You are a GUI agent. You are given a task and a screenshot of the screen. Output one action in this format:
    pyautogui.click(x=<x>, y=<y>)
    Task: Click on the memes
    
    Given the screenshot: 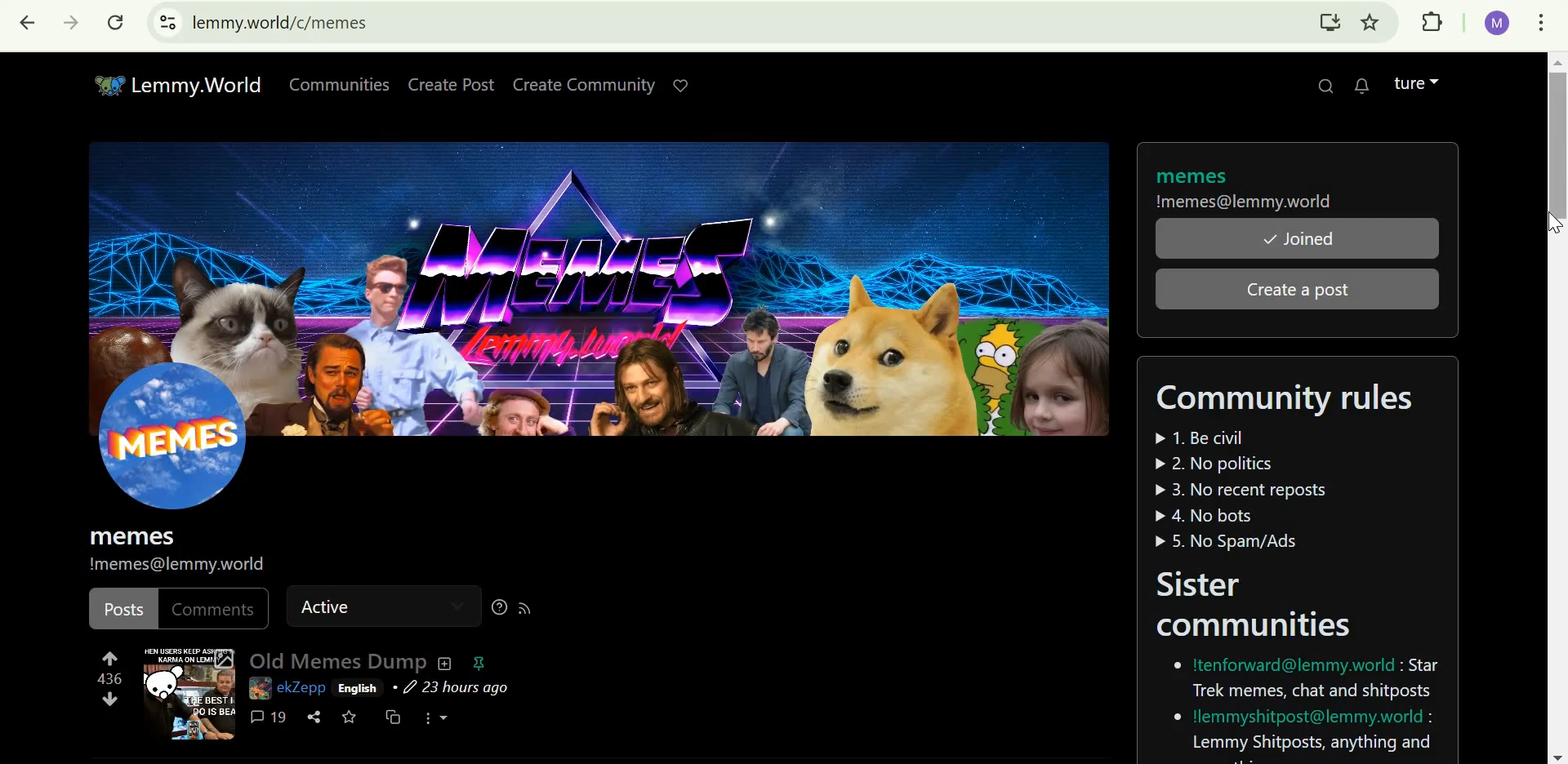 What is the action you would take?
    pyautogui.click(x=131, y=536)
    